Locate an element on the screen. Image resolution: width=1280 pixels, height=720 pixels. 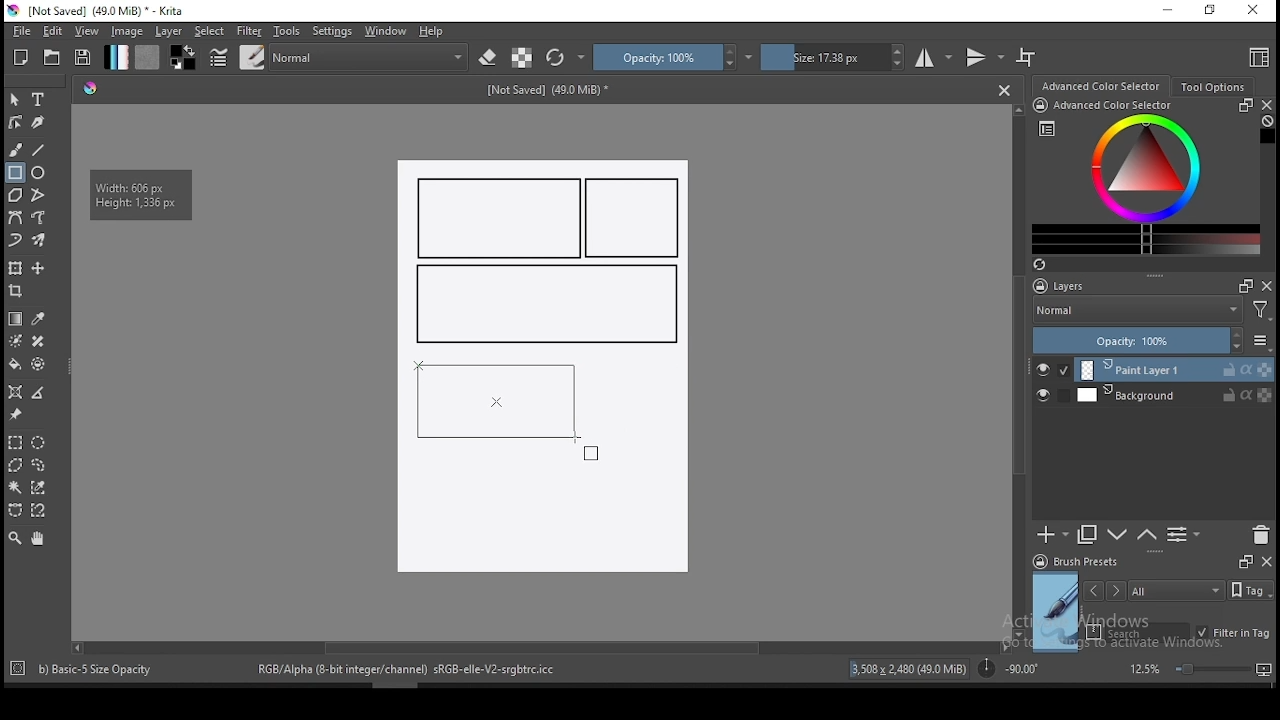
similar color selection tool is located at coordinates (41, 487).